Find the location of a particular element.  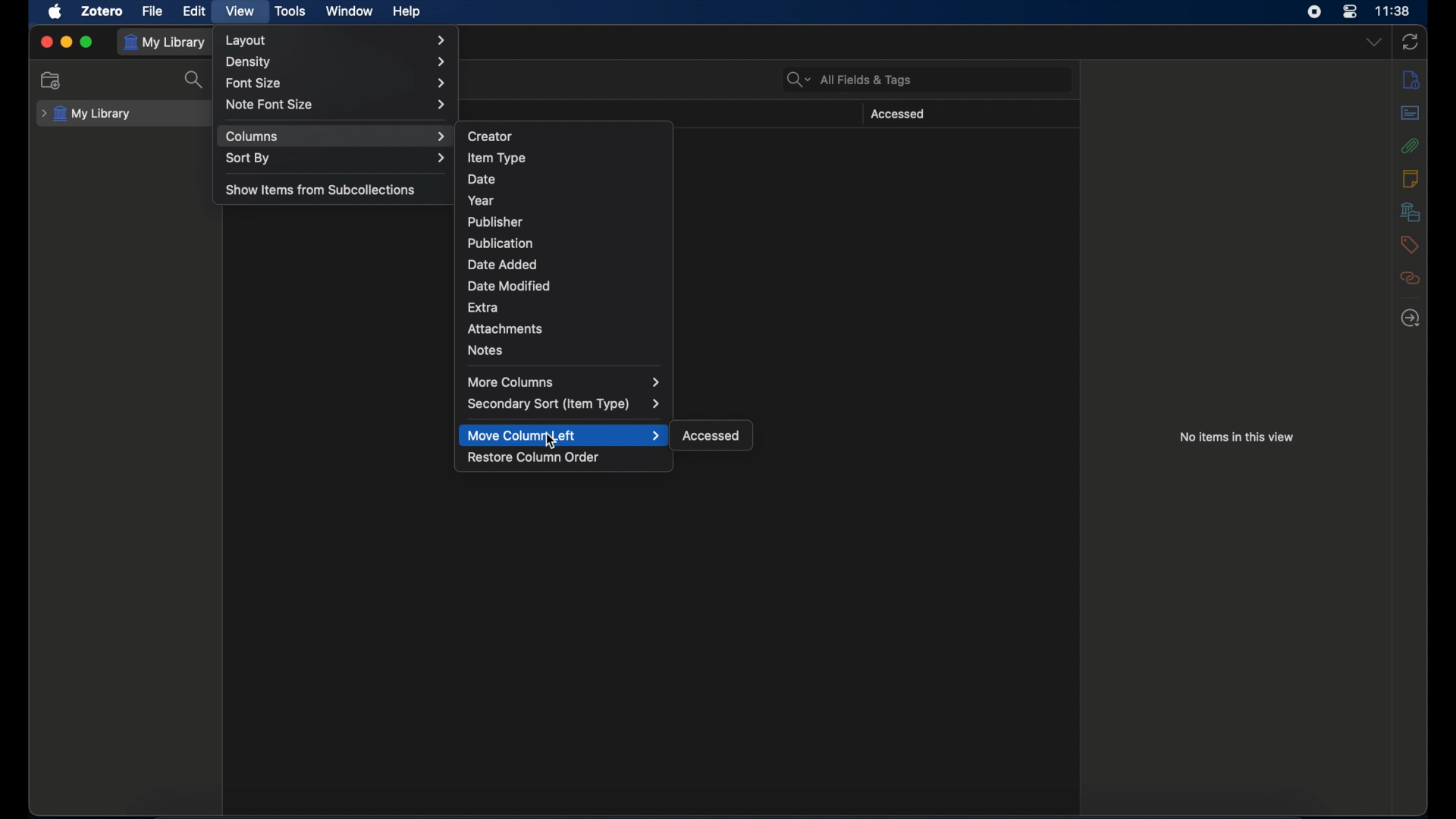

date modified is located at coordinates (510, 286).